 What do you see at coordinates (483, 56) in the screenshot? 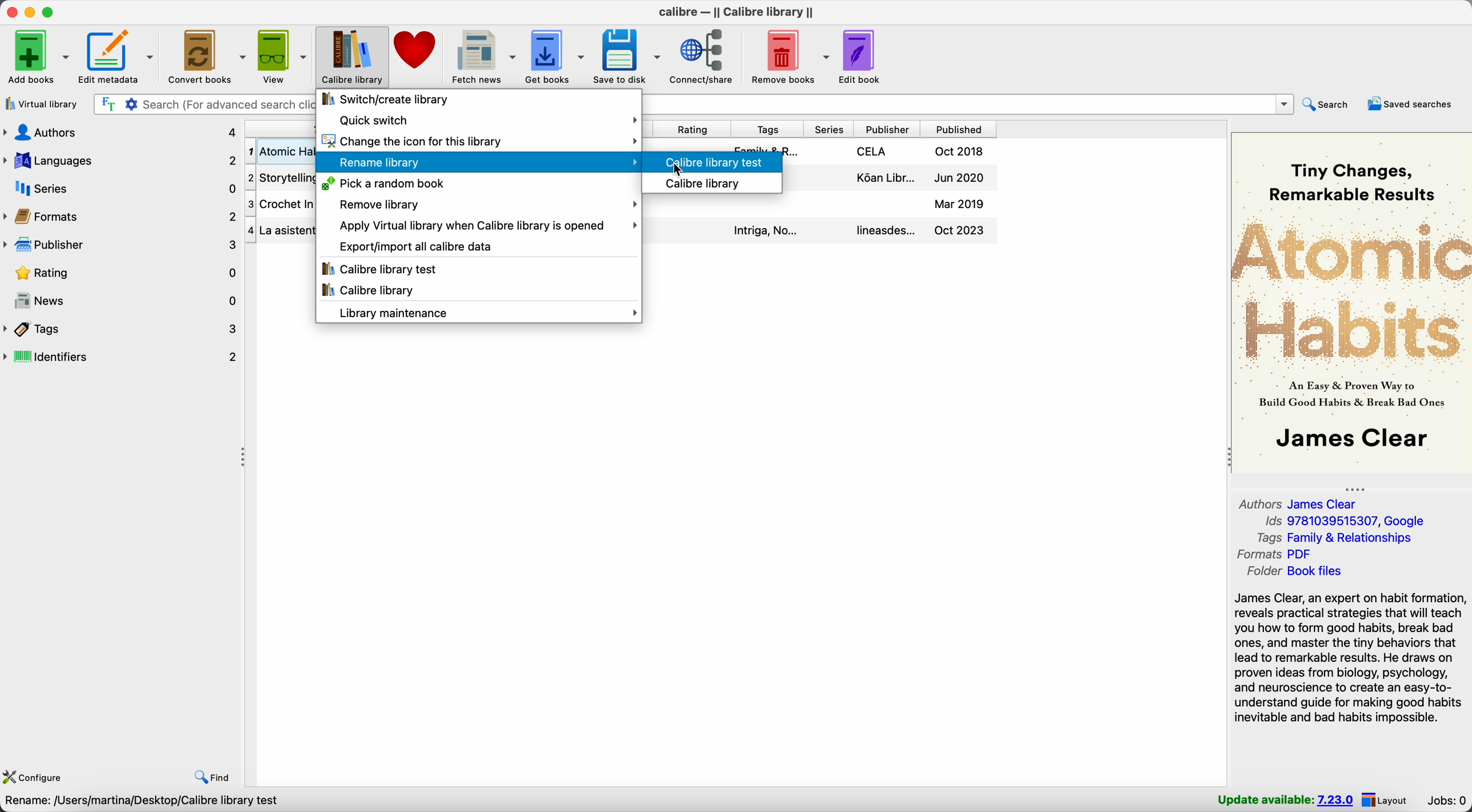
I see `fetch news` at bounding box center [483, 56].